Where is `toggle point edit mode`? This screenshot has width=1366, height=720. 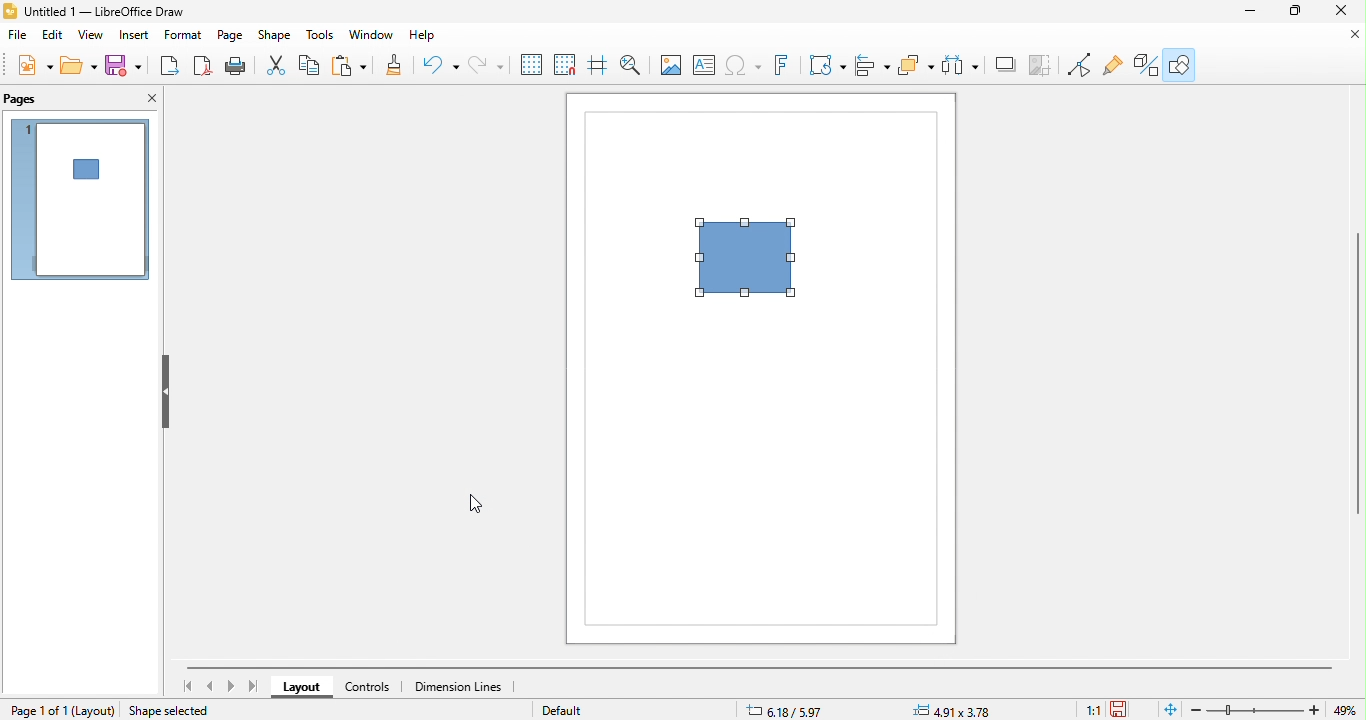
toggle point edit mode is located at coordinates (1045, 66).